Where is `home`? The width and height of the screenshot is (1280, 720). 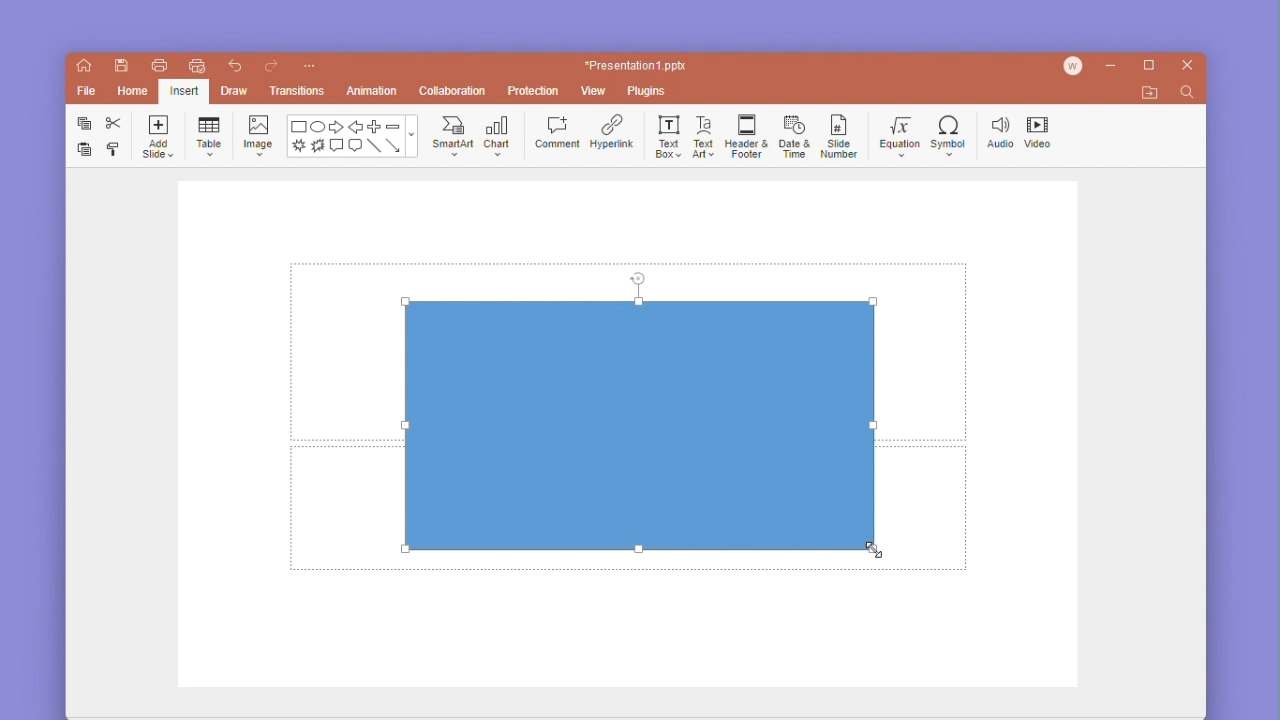
home is located at coordinates (84, 68).